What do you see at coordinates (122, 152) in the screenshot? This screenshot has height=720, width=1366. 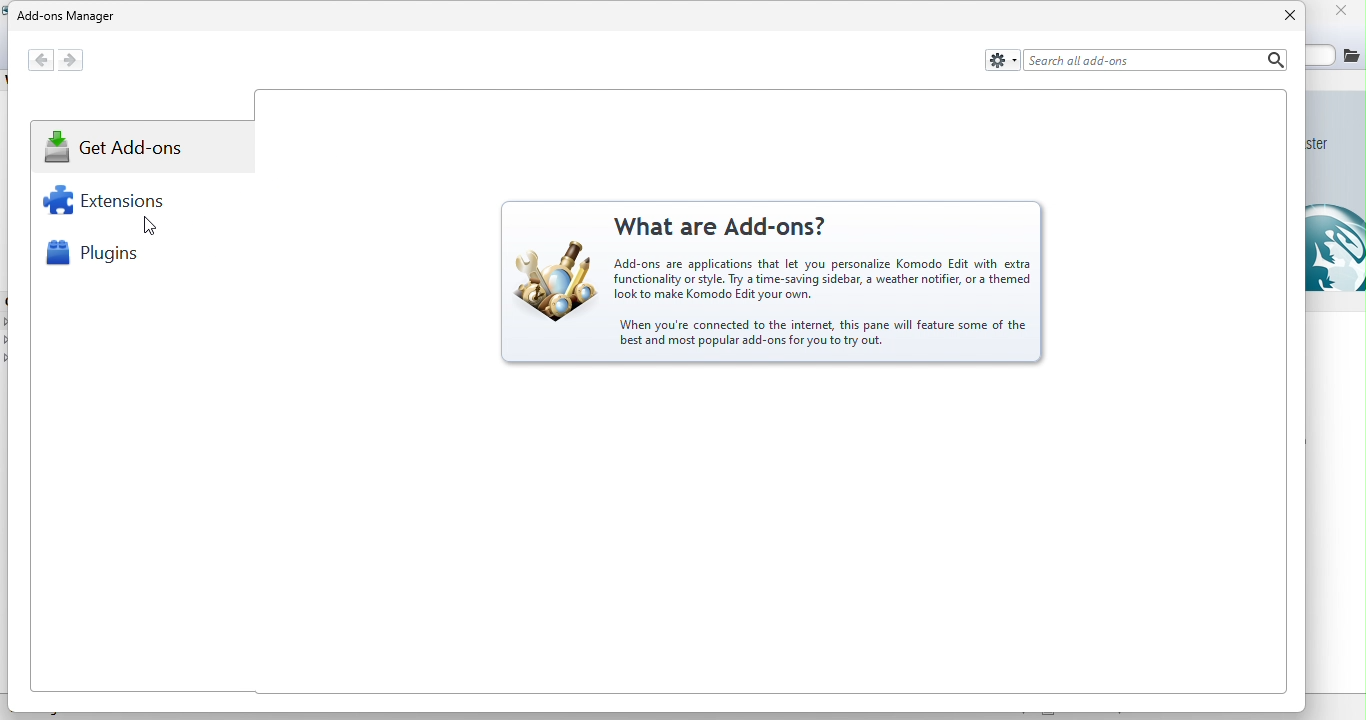 I see `get add ons` at bounding box center [122, 152].